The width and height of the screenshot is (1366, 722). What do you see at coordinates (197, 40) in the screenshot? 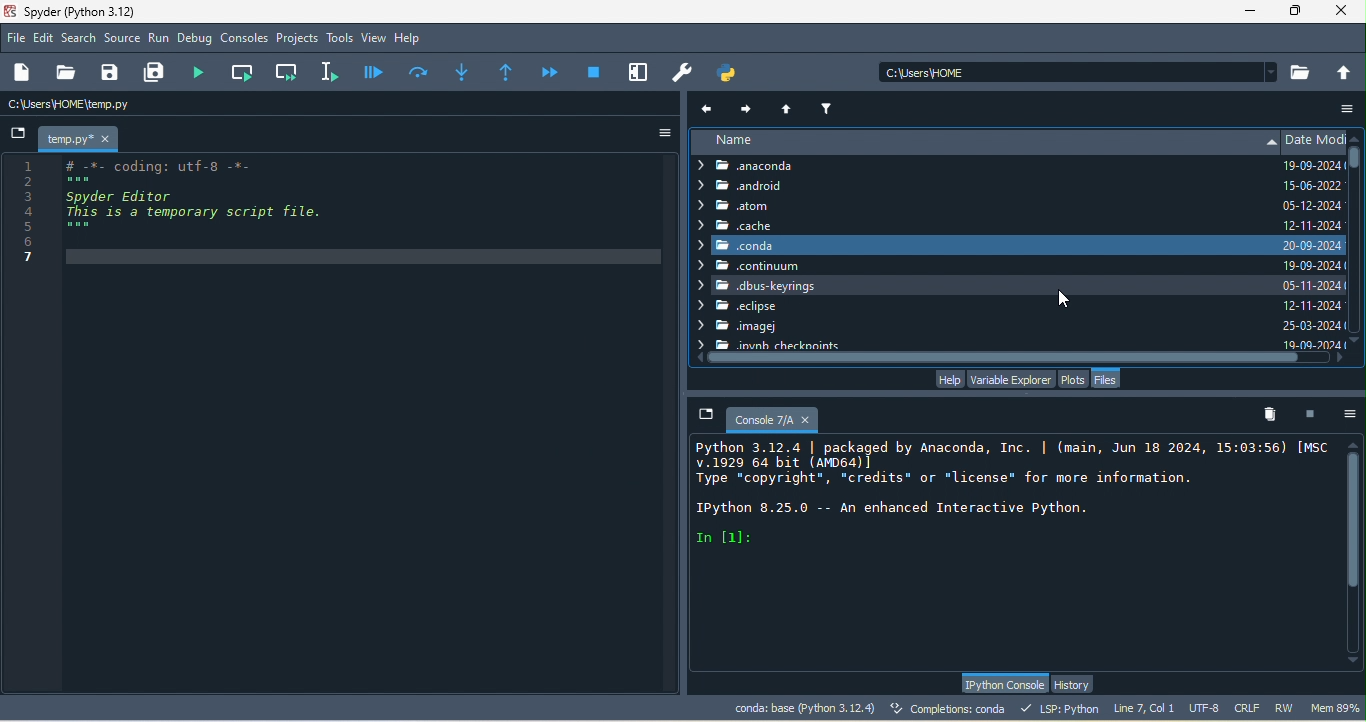
I see `debug` at bounding box center [197, 40].